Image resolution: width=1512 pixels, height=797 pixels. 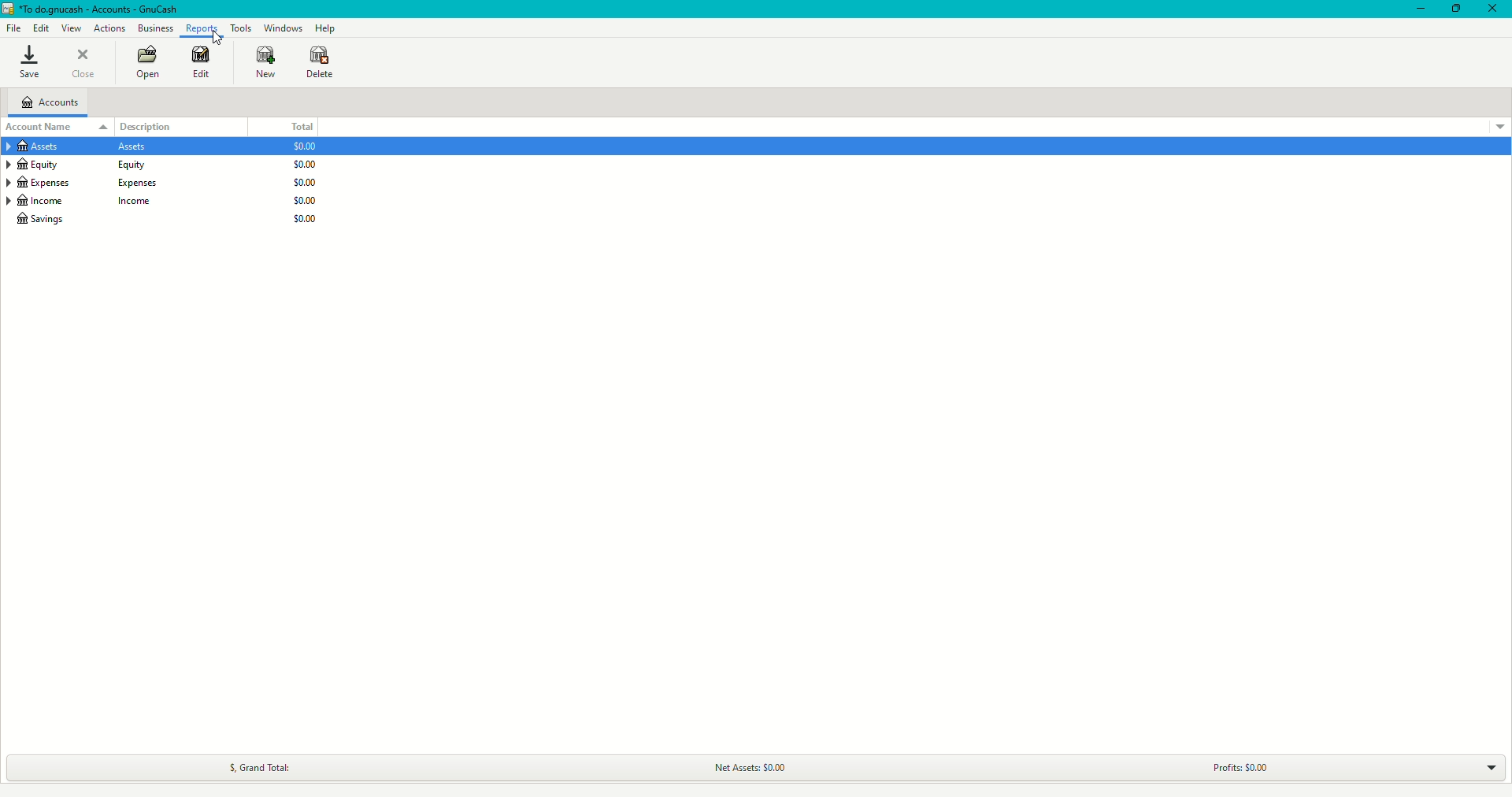 I want to click on cursor, so click(x=216, y=38).